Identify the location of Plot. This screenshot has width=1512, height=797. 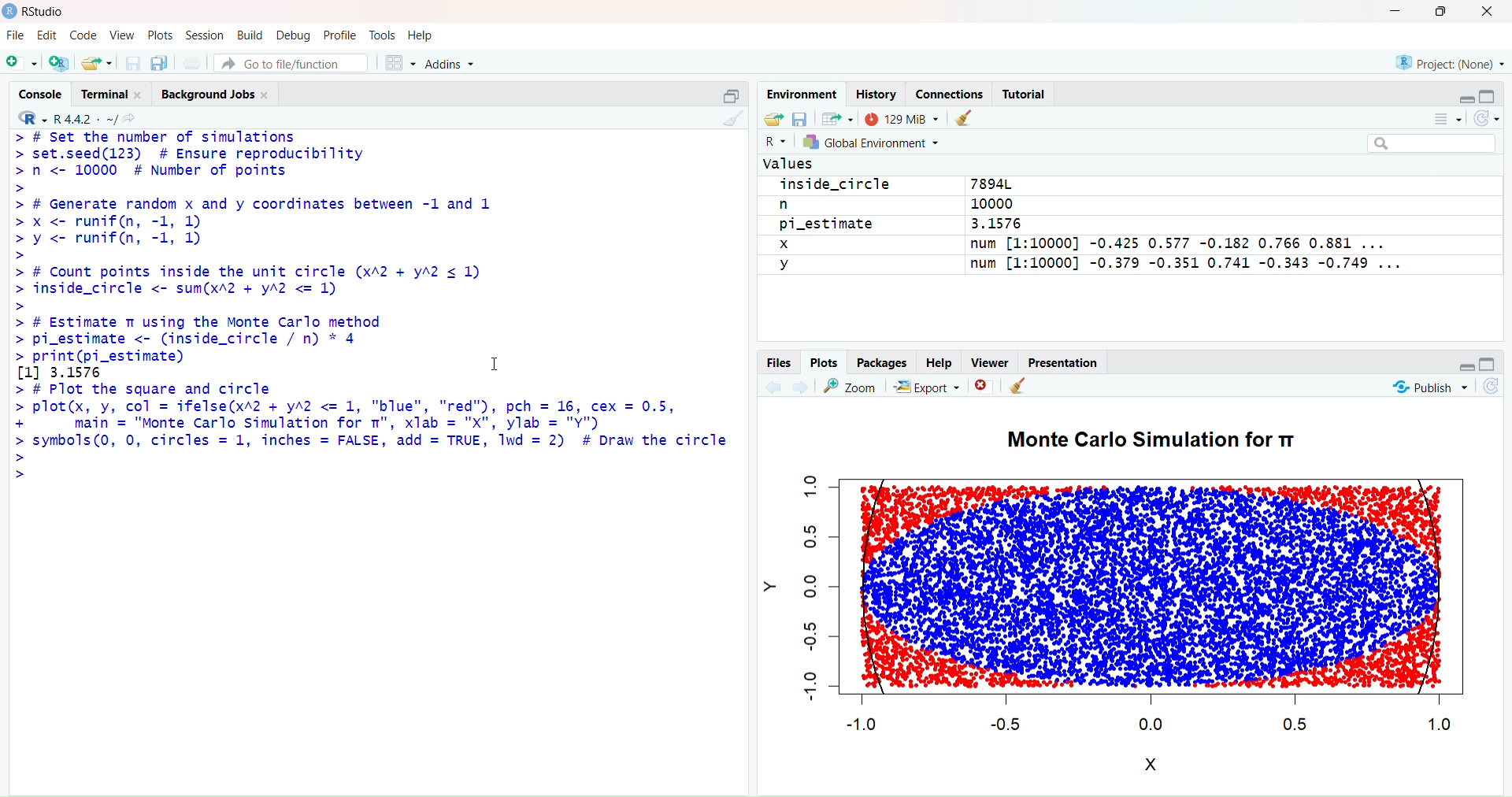
(1136, 606).